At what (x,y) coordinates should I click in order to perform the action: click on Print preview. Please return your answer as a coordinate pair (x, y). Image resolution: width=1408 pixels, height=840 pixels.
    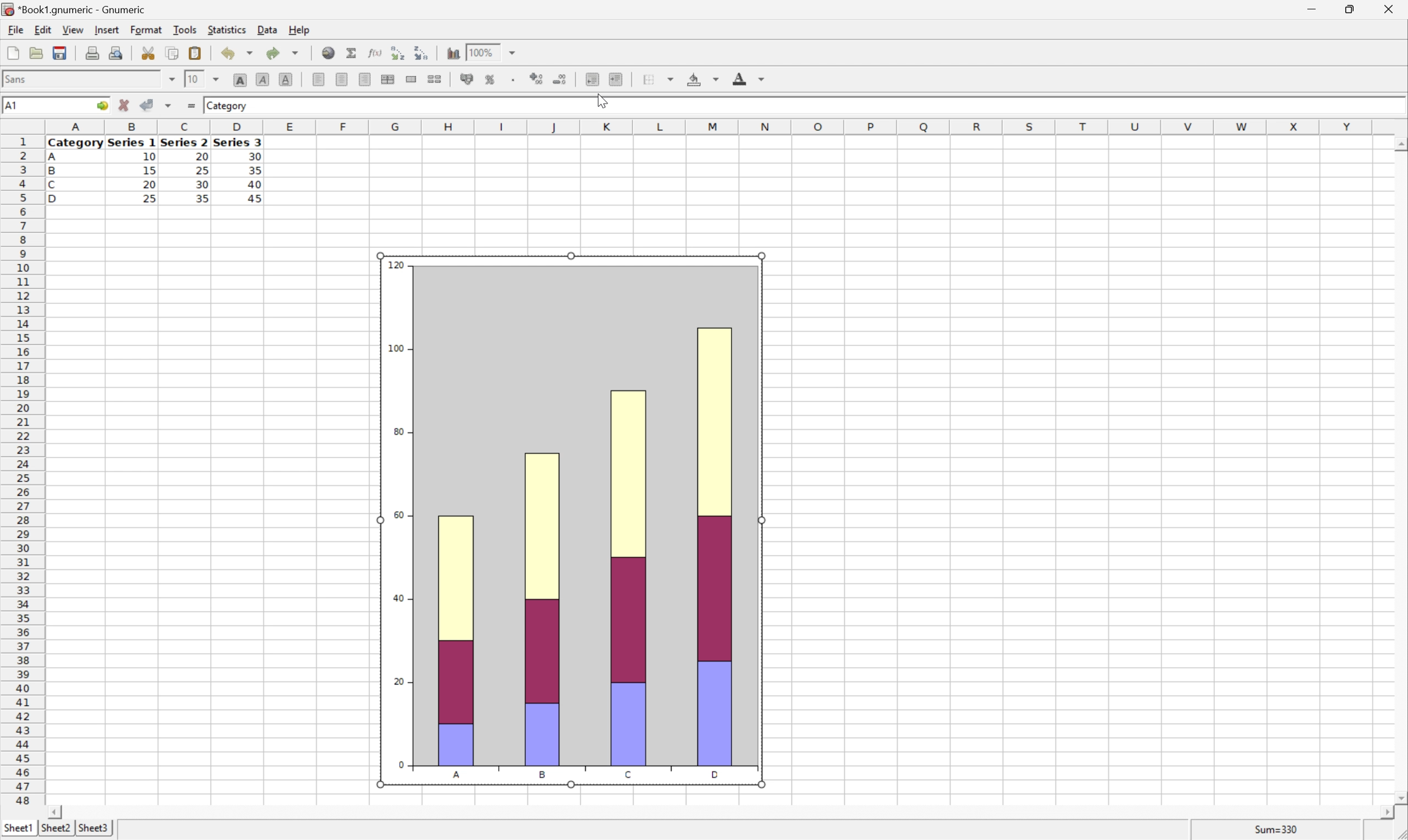
    Looking at the image, I should click on (117, 53).